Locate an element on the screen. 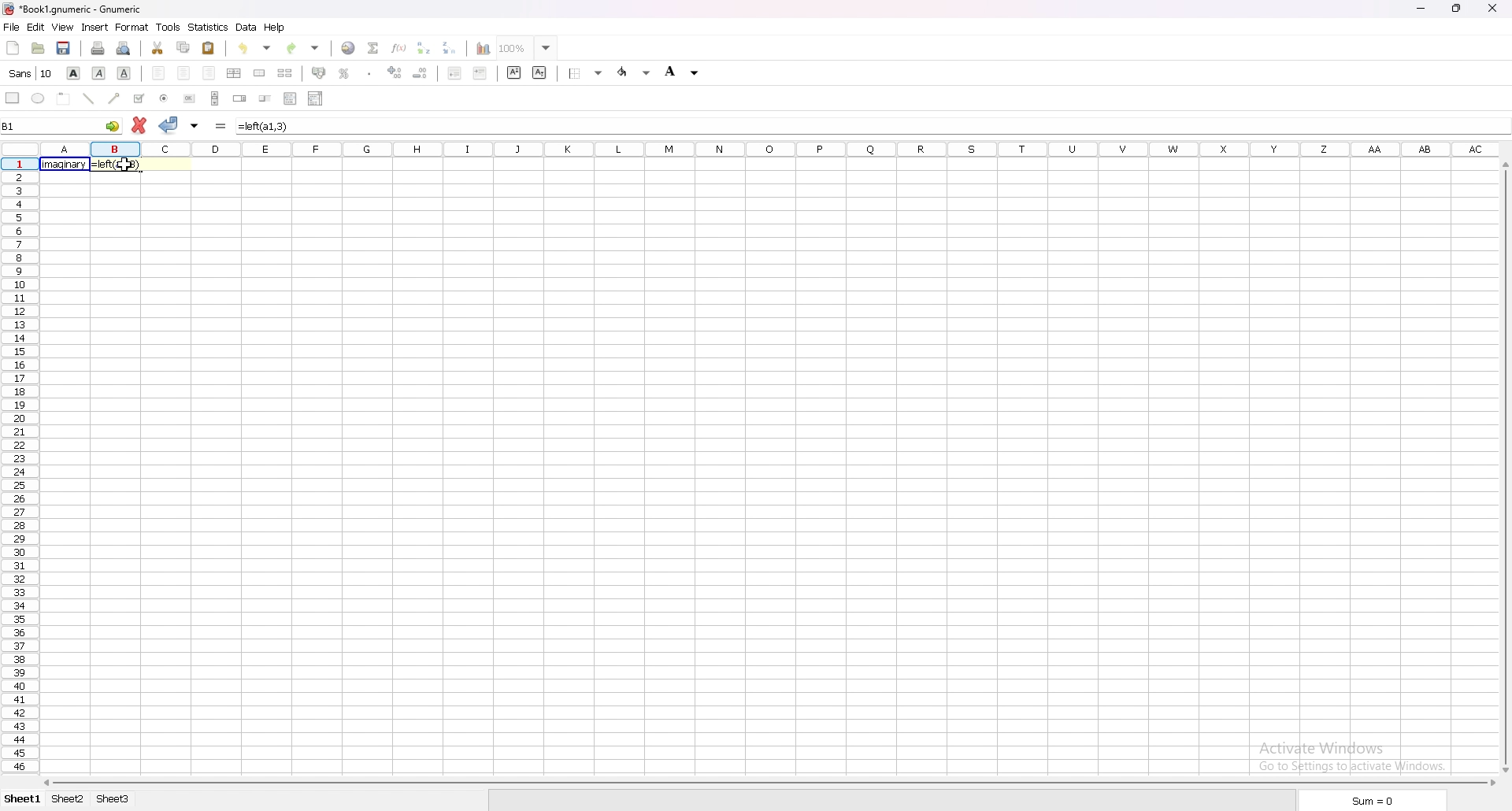 The height and width of the screenshot is (811, 1512). percentage is located at coordinates (344, 73).